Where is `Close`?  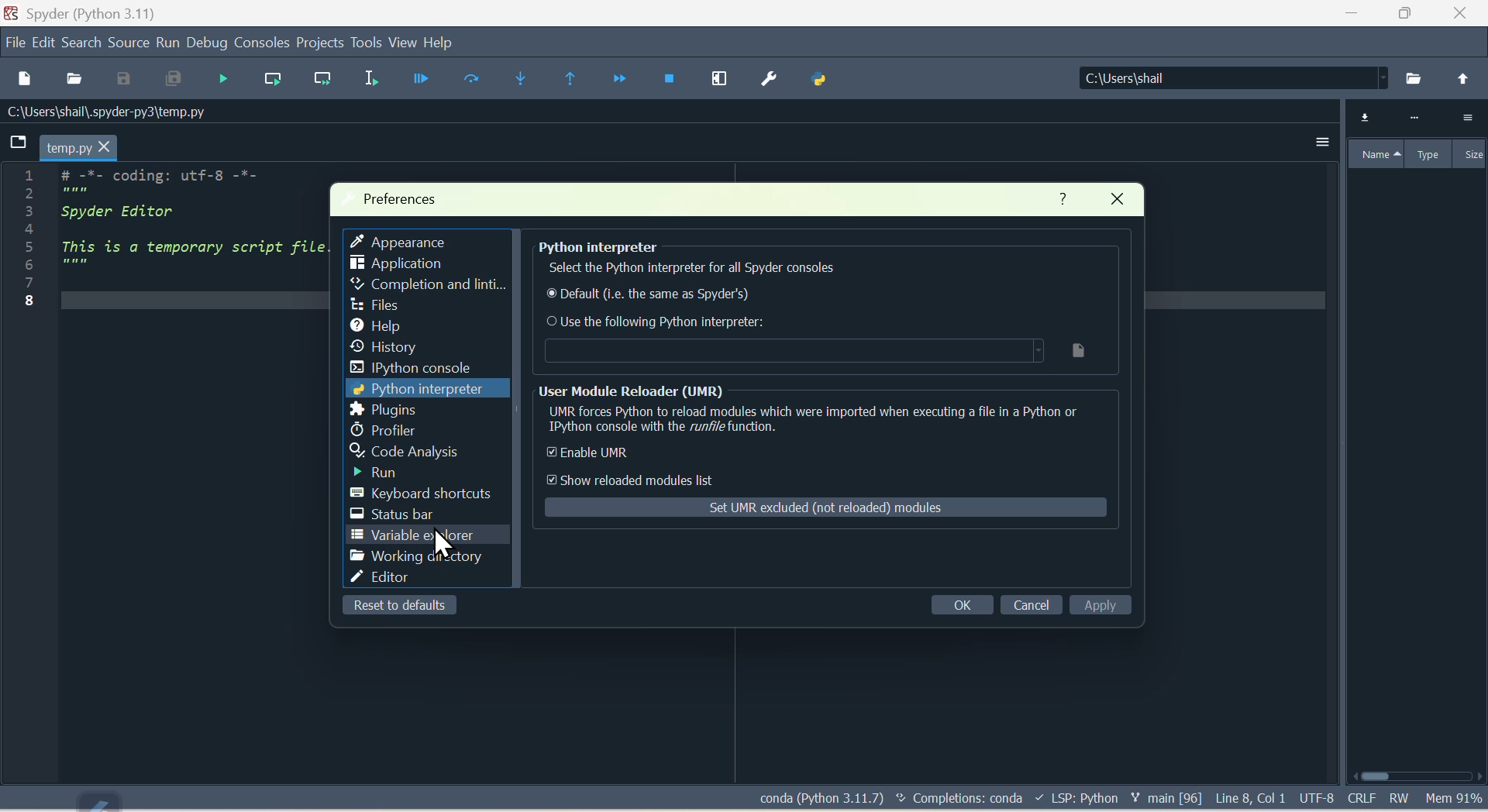 Close is located at coordinates (1465, 15).